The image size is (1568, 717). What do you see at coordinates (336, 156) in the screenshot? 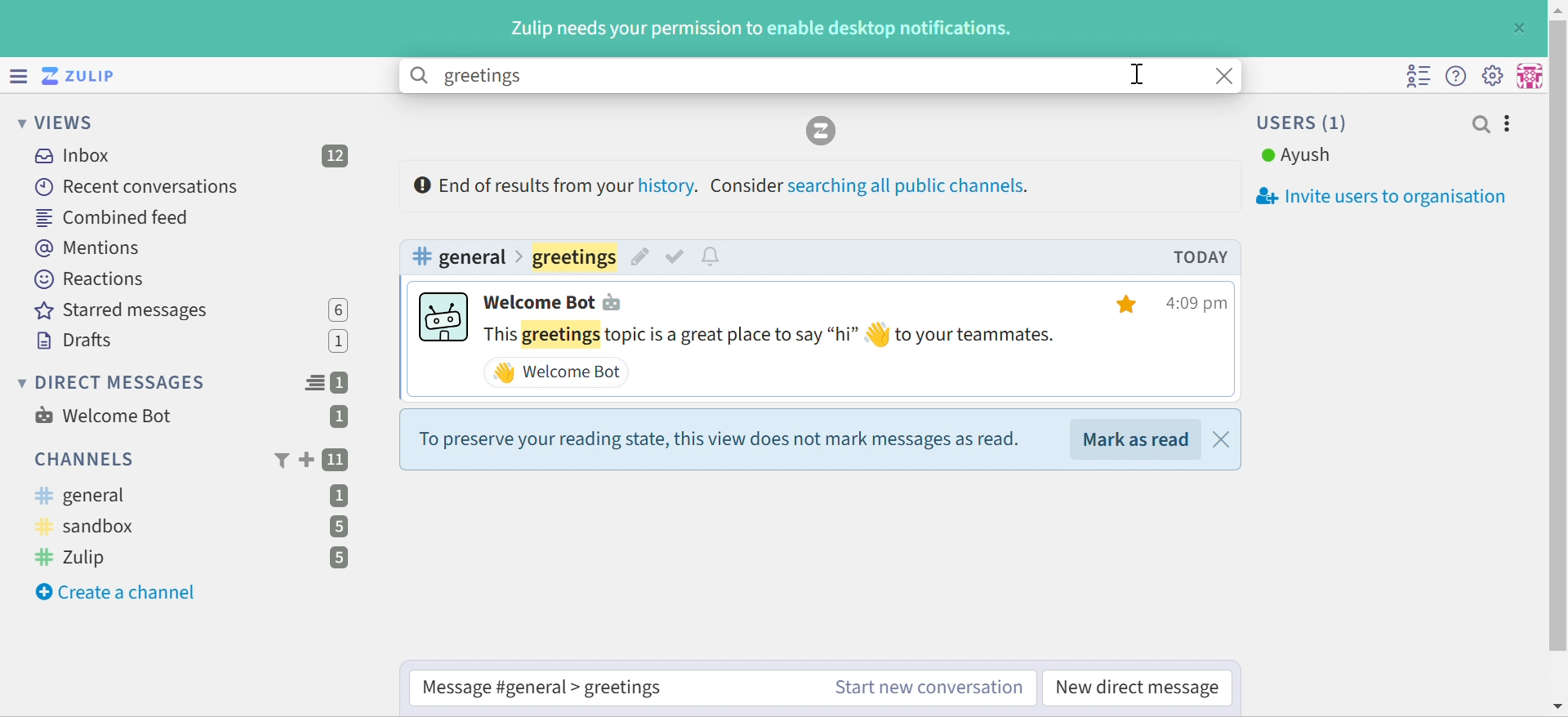
I see `12` at bounding box center [336, 156].